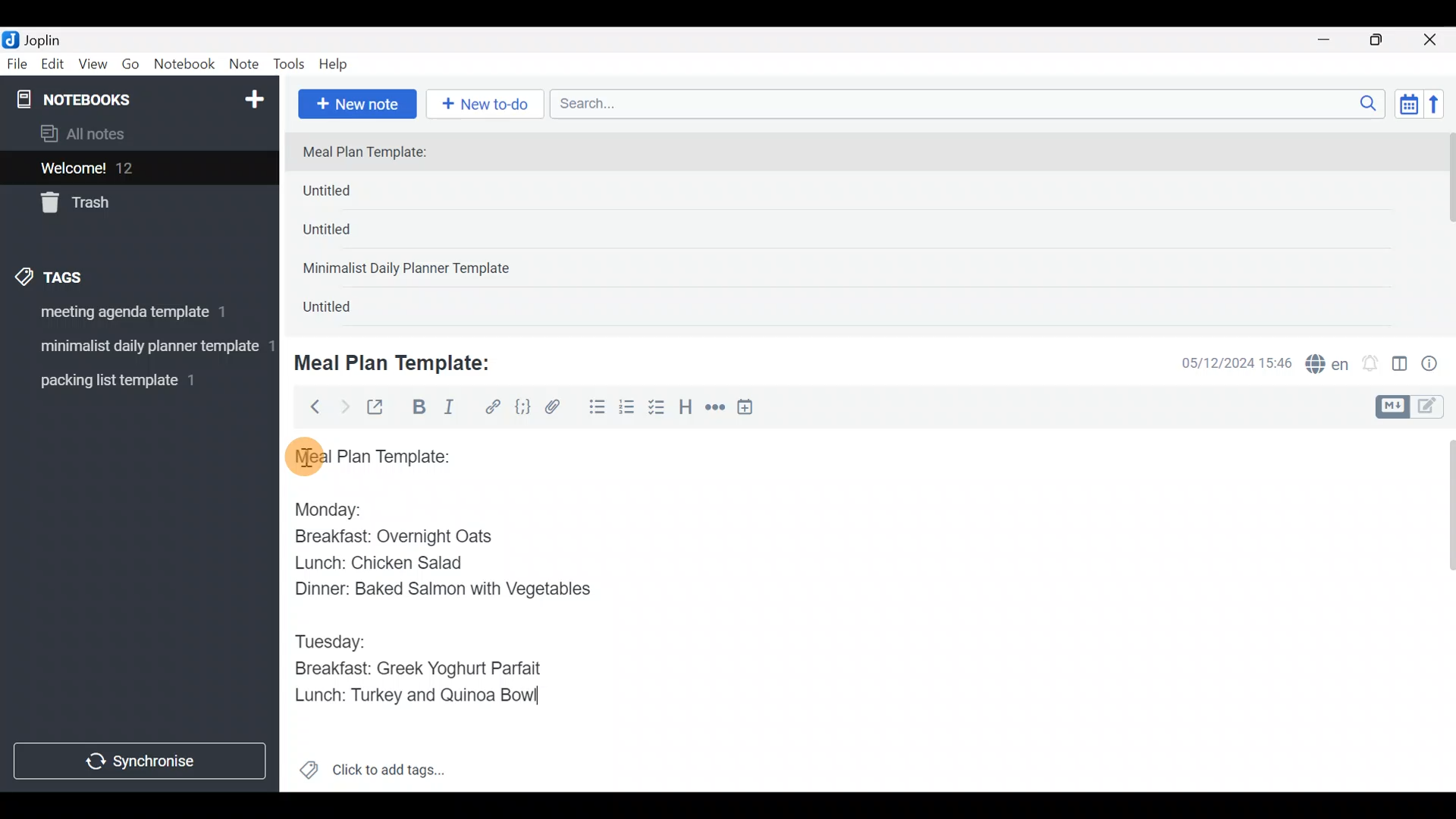 This screenshot has width=1456, height=819. Describe the element at coordinates (686, 409) in the screenshot. I see `Heading` at that location.